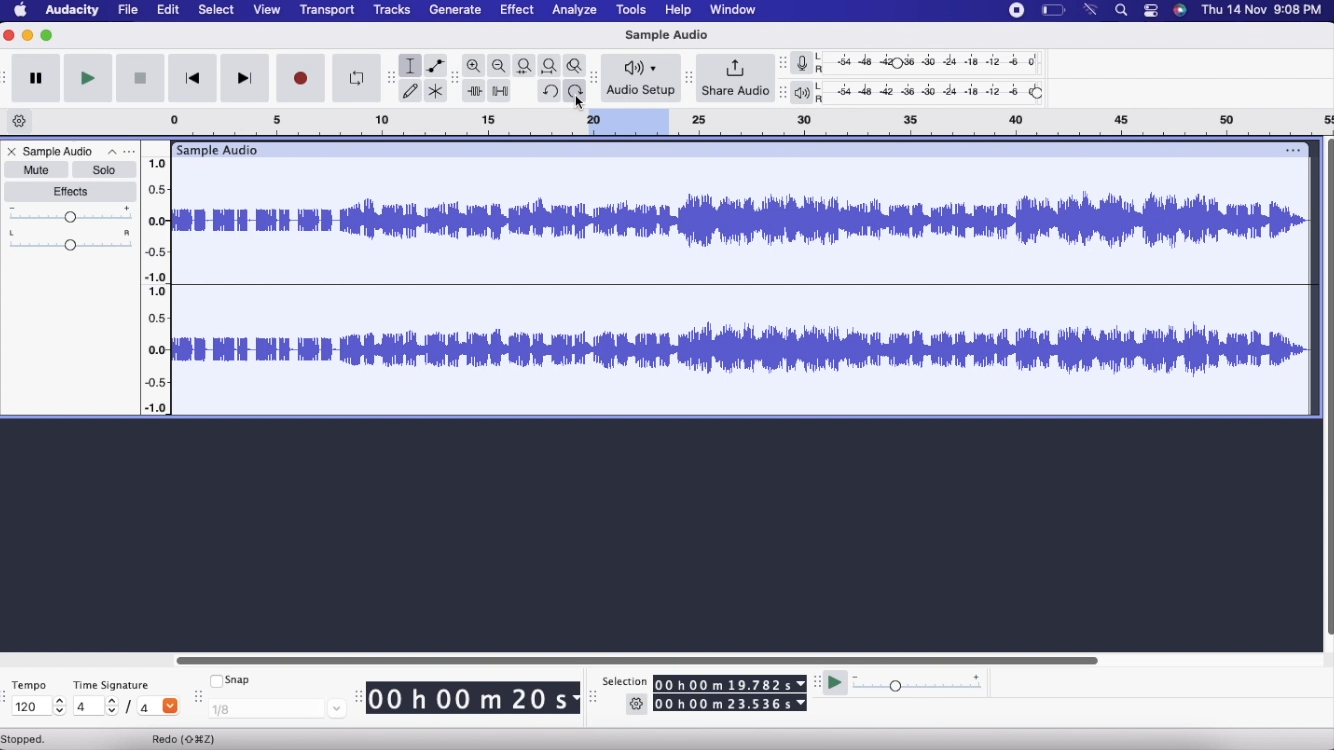 The height and width of the screenshot is (750, 1334). I want to click on Zoom toggle, so click(577, 65).